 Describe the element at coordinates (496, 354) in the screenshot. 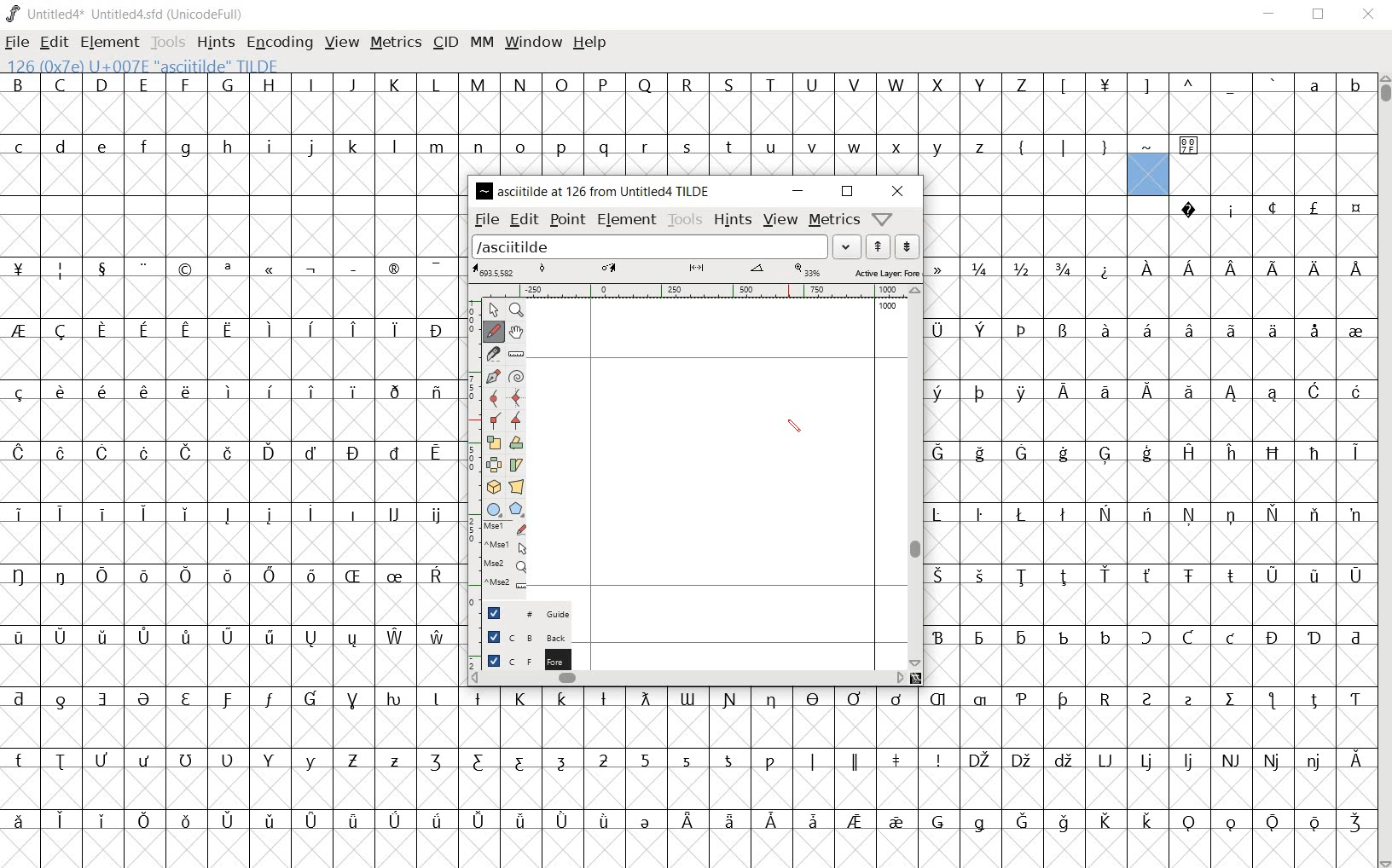

I see `cut splines in two` at that location.